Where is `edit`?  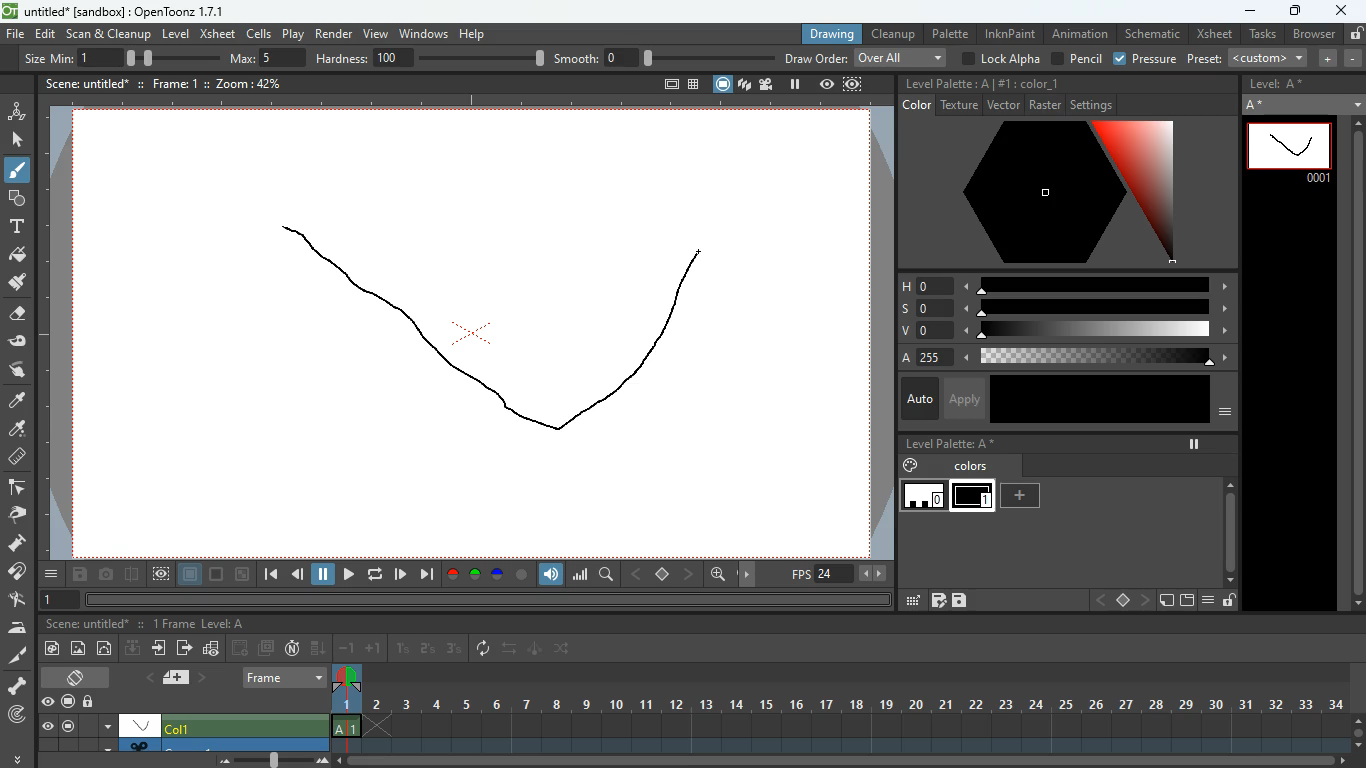
edit is located at coordinates (910, 601).